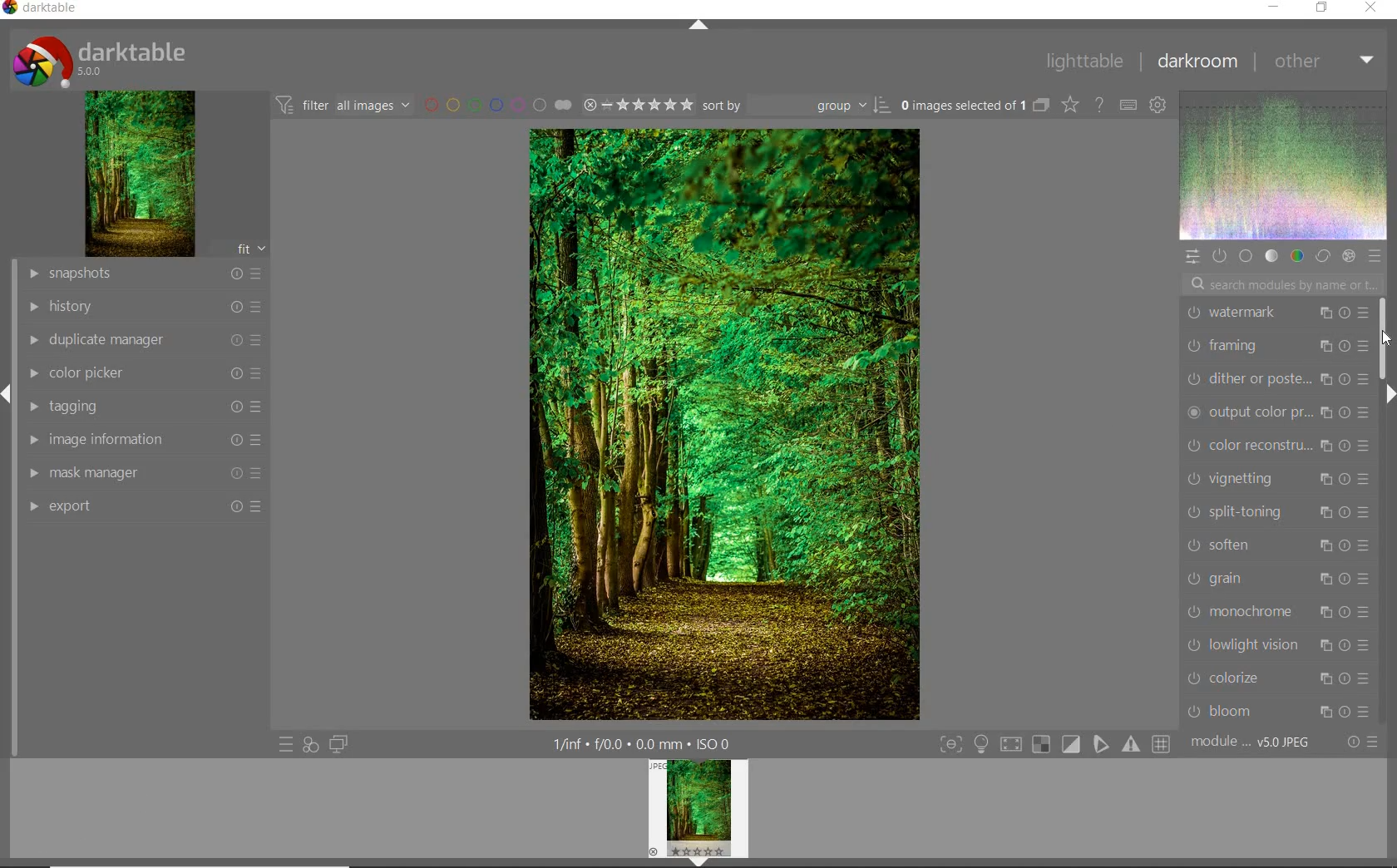  Describe the element at coordinates (1376, 8) in the screenshot. I see `CLOSE` at that location.